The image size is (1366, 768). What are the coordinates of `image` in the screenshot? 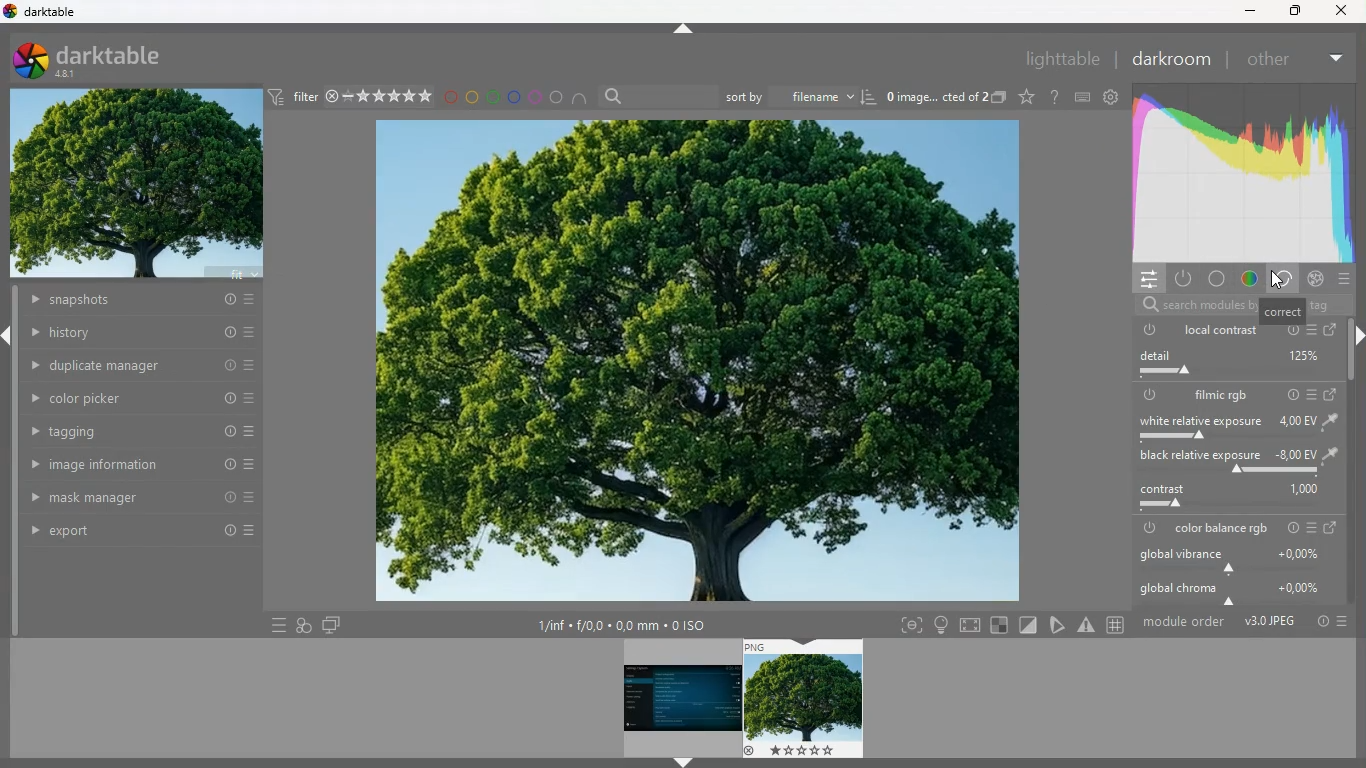 It's located at (698, 364).